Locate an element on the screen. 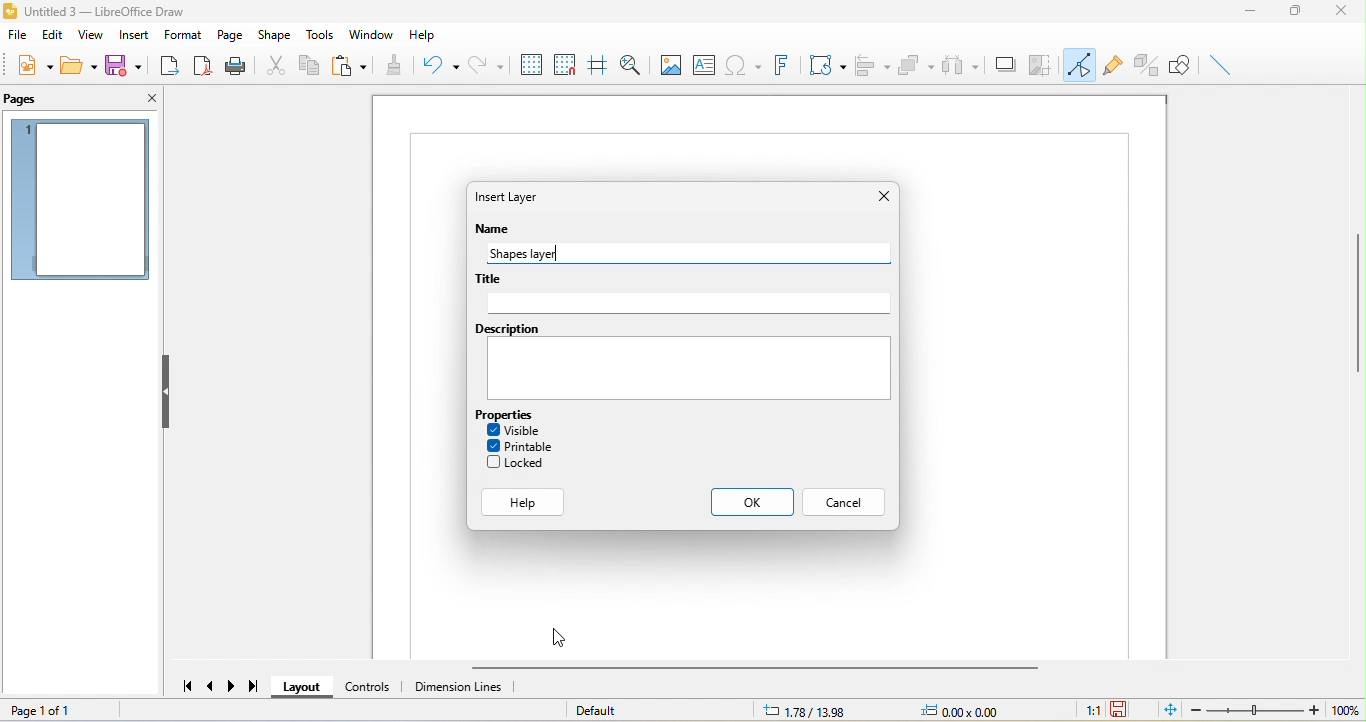 The height and width of the screenshot is (722, 1366). transformation is located at coordinates (823, 65).